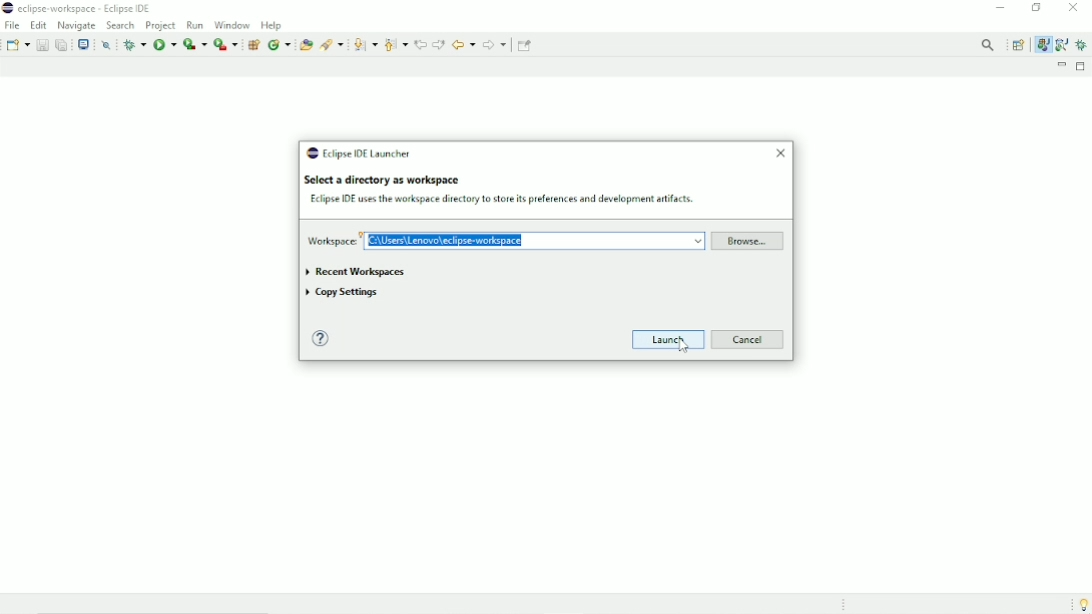 The height and width of the screenshot is (614, 1092). Describe the element at coordinates (39, 25) in the screenshot. I see `Edit` at that location.